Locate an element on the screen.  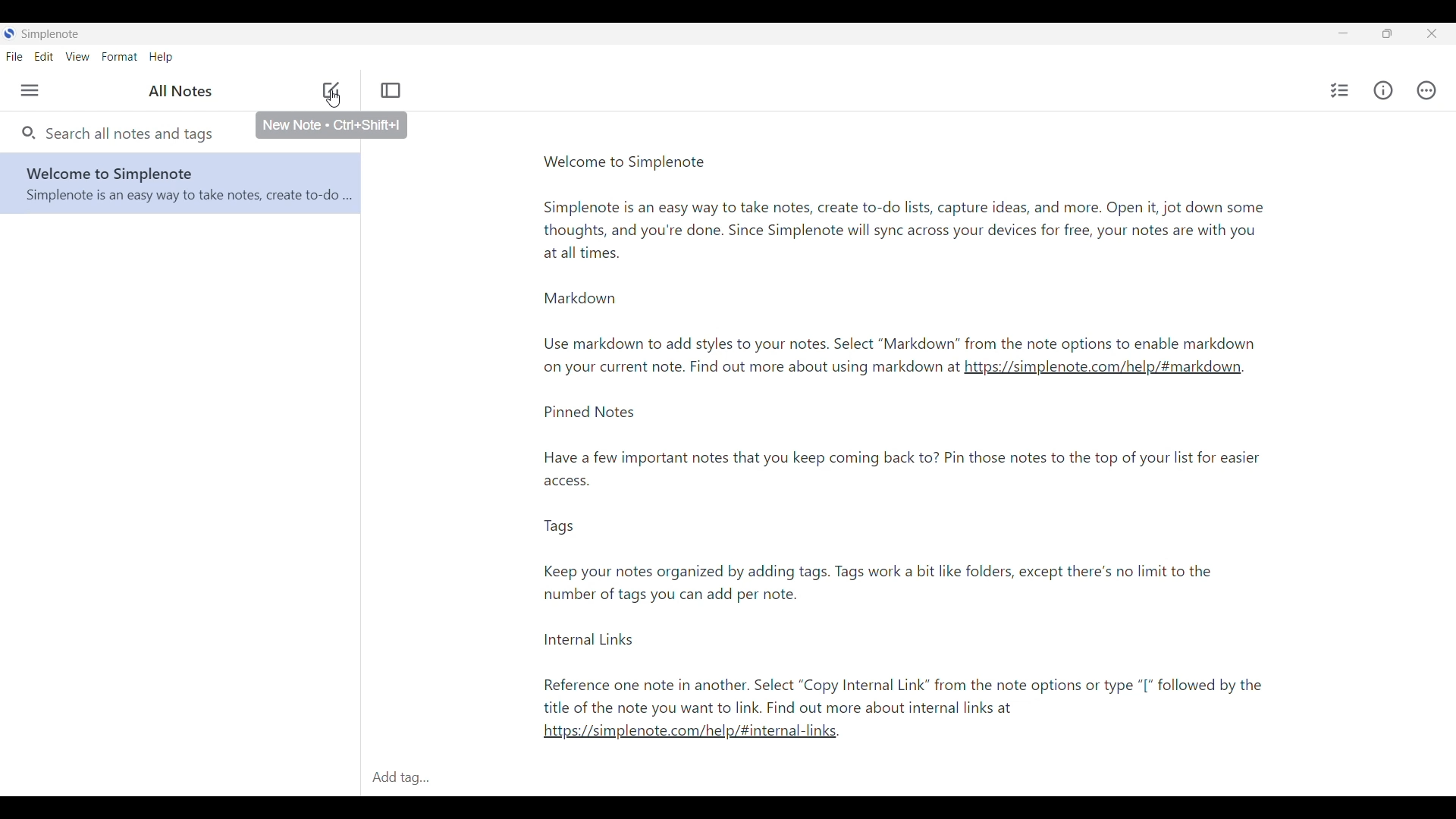
Cursor is located at coordinates (333, 102).